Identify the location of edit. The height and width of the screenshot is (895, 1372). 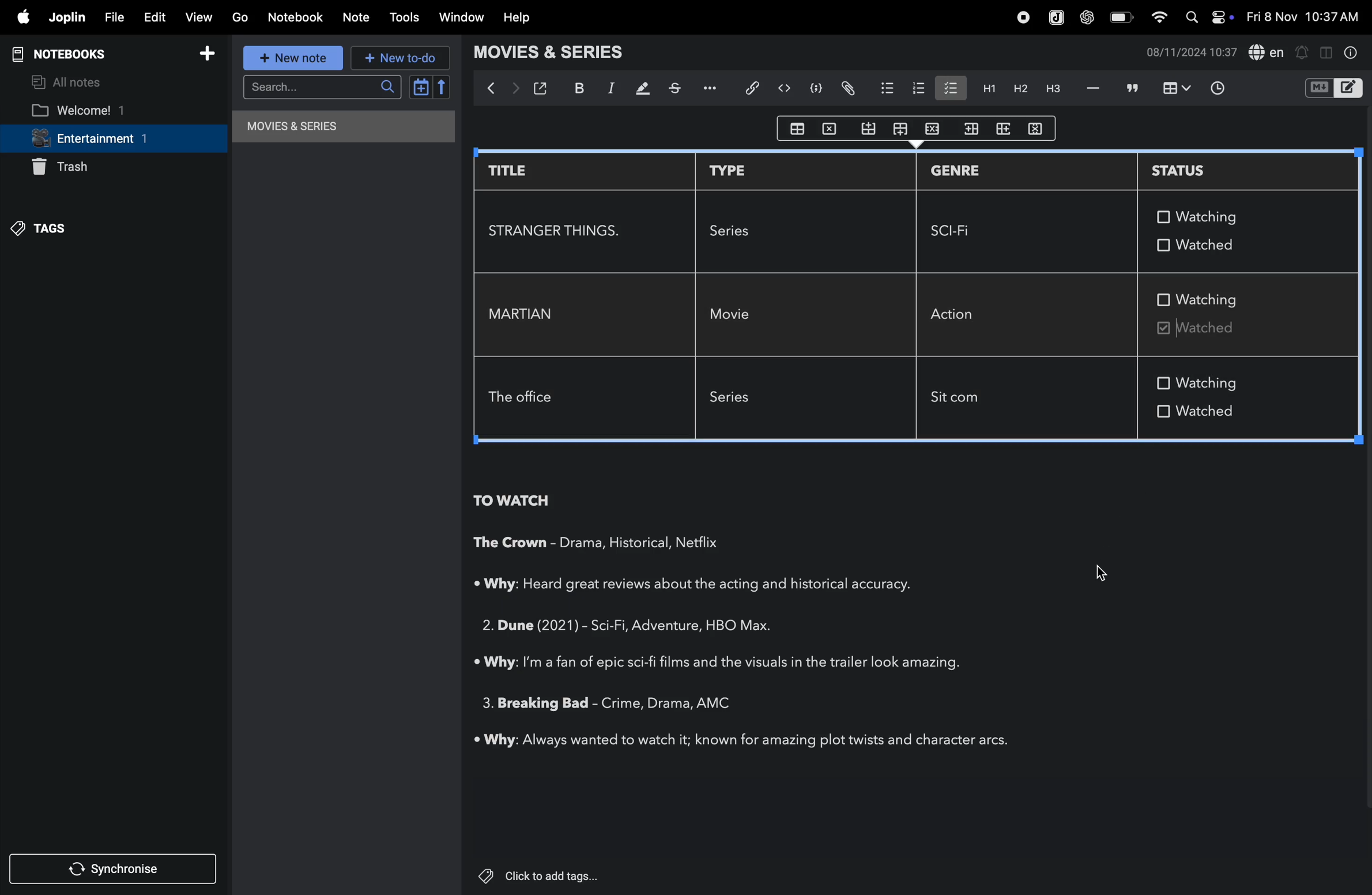
(156, 18).